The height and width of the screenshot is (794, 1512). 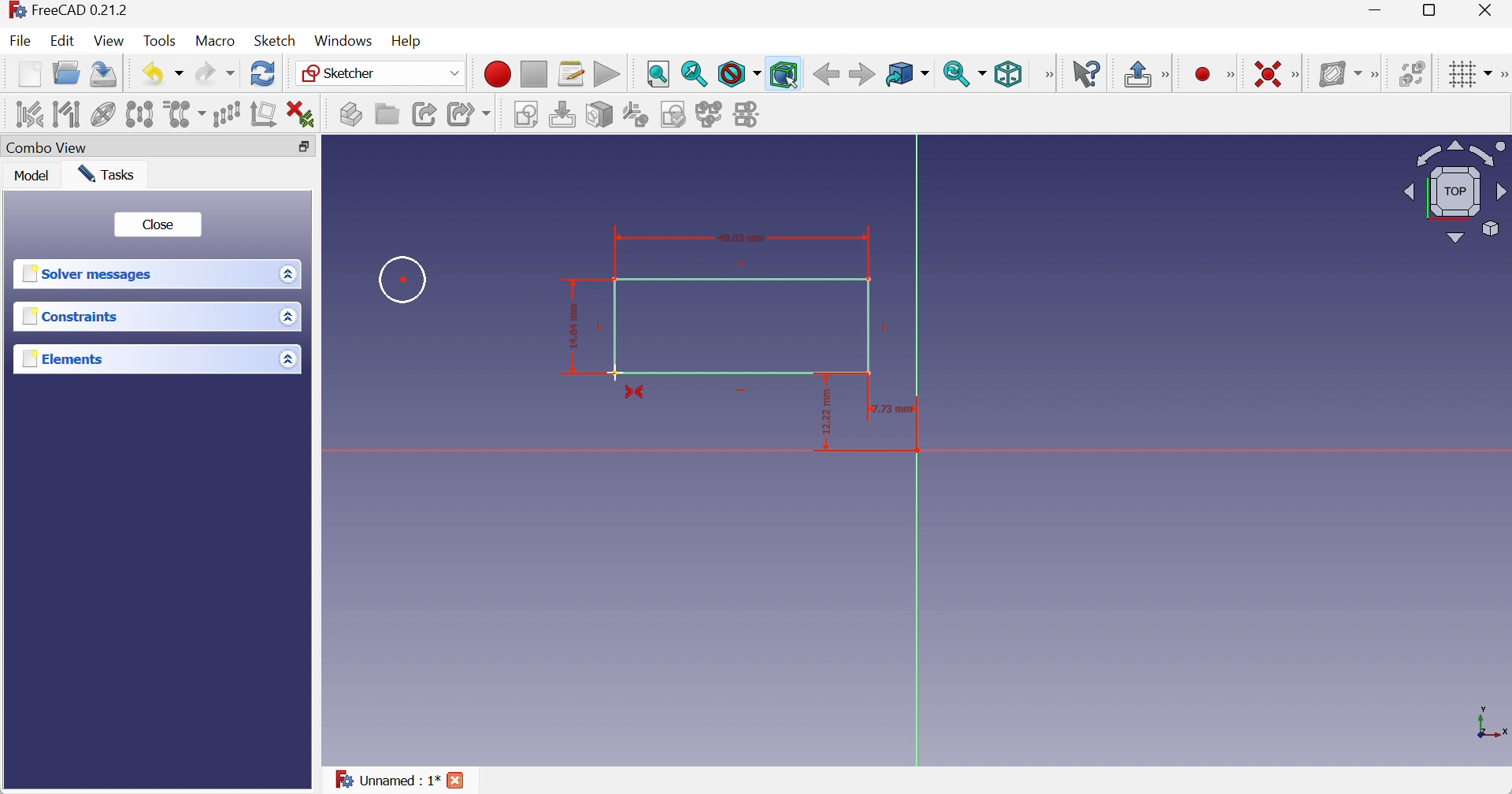 What do you see at coordinates (28, 113) in the screenshot?
I see `Select associated constraints` at bounding box center [28, 113].